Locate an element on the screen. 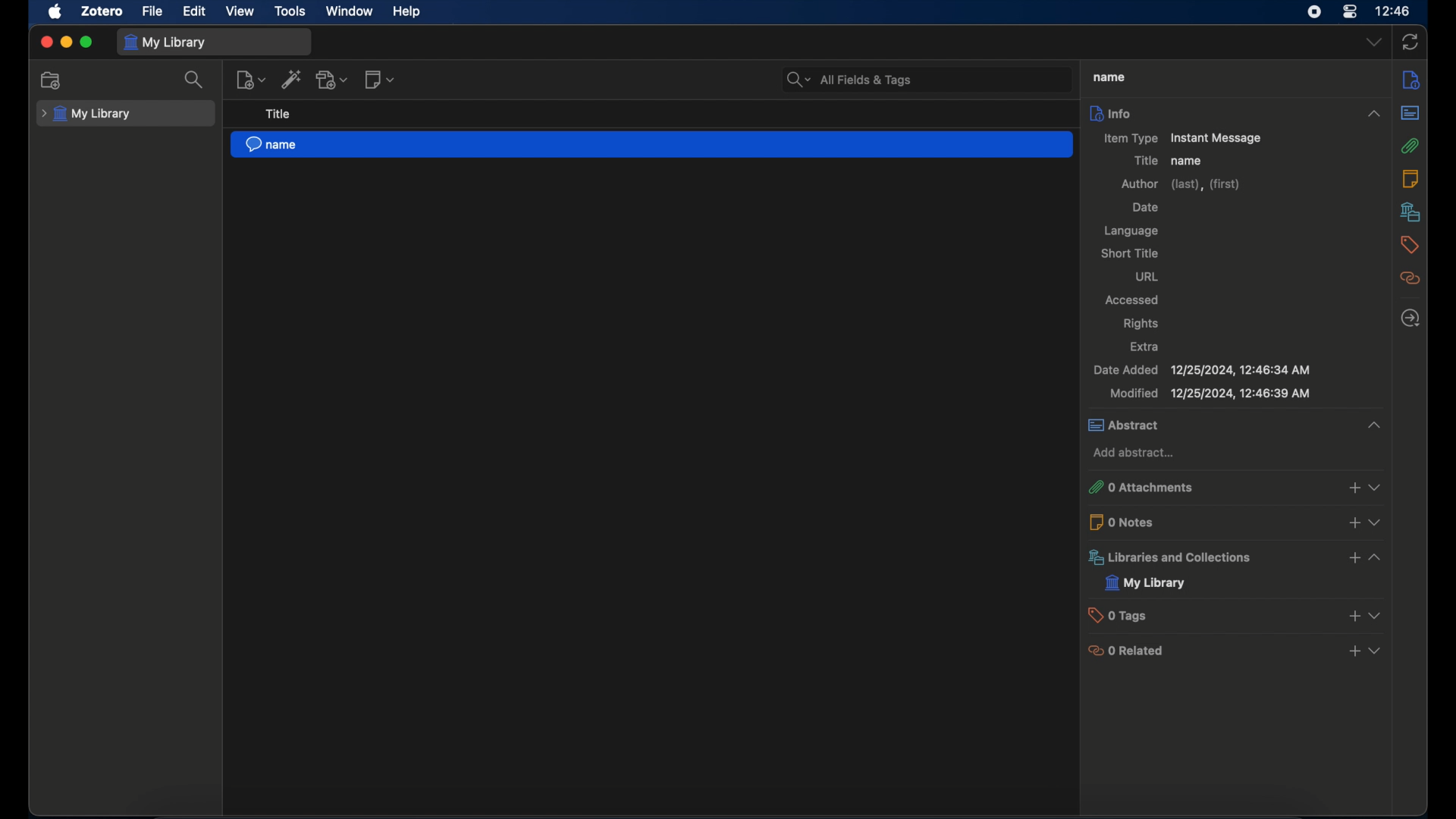 The image size is (1456, 819). short title is located at coordinates (1129, 253).